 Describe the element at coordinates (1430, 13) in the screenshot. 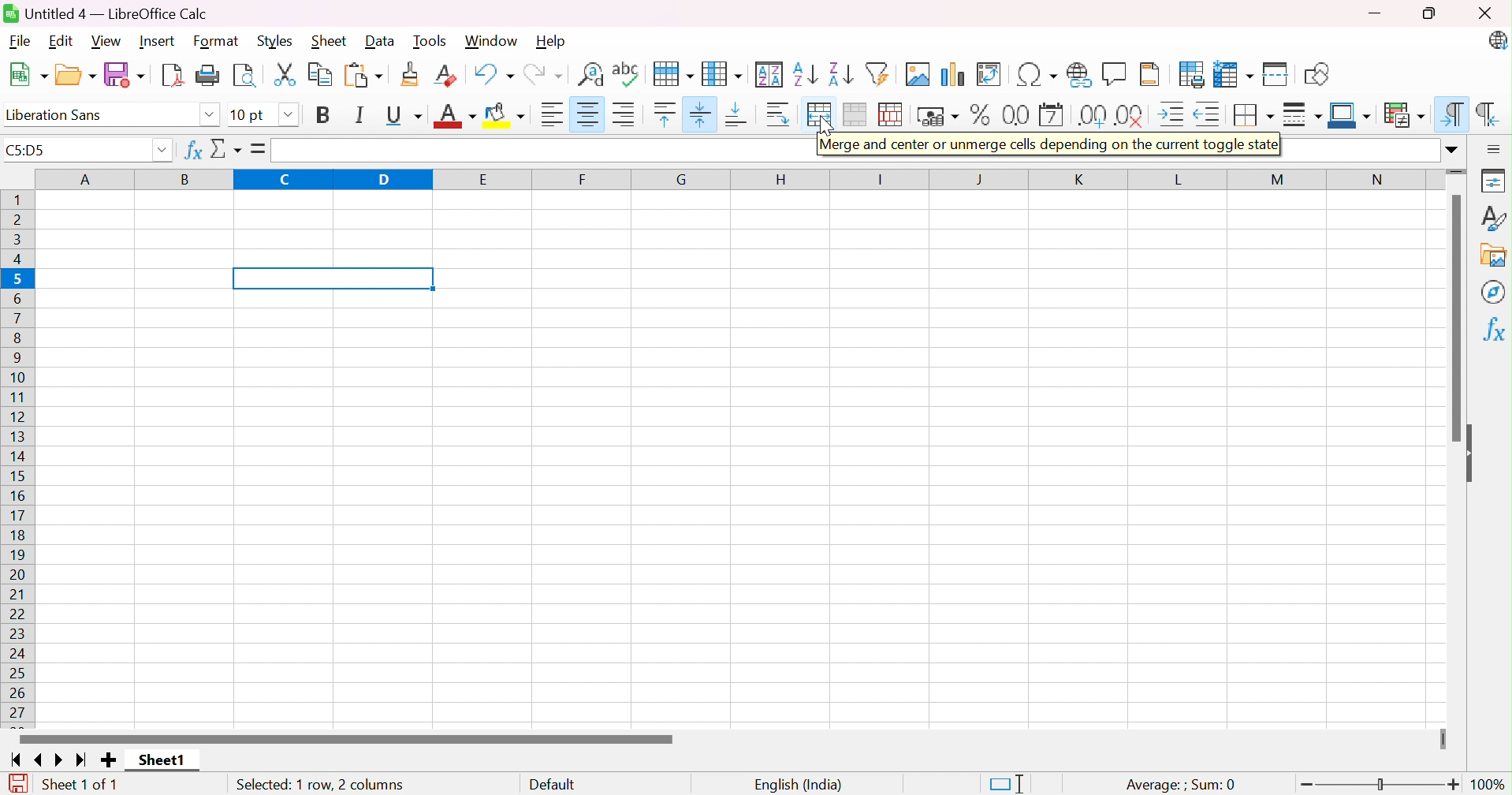

I see `Restore Down` at that location.